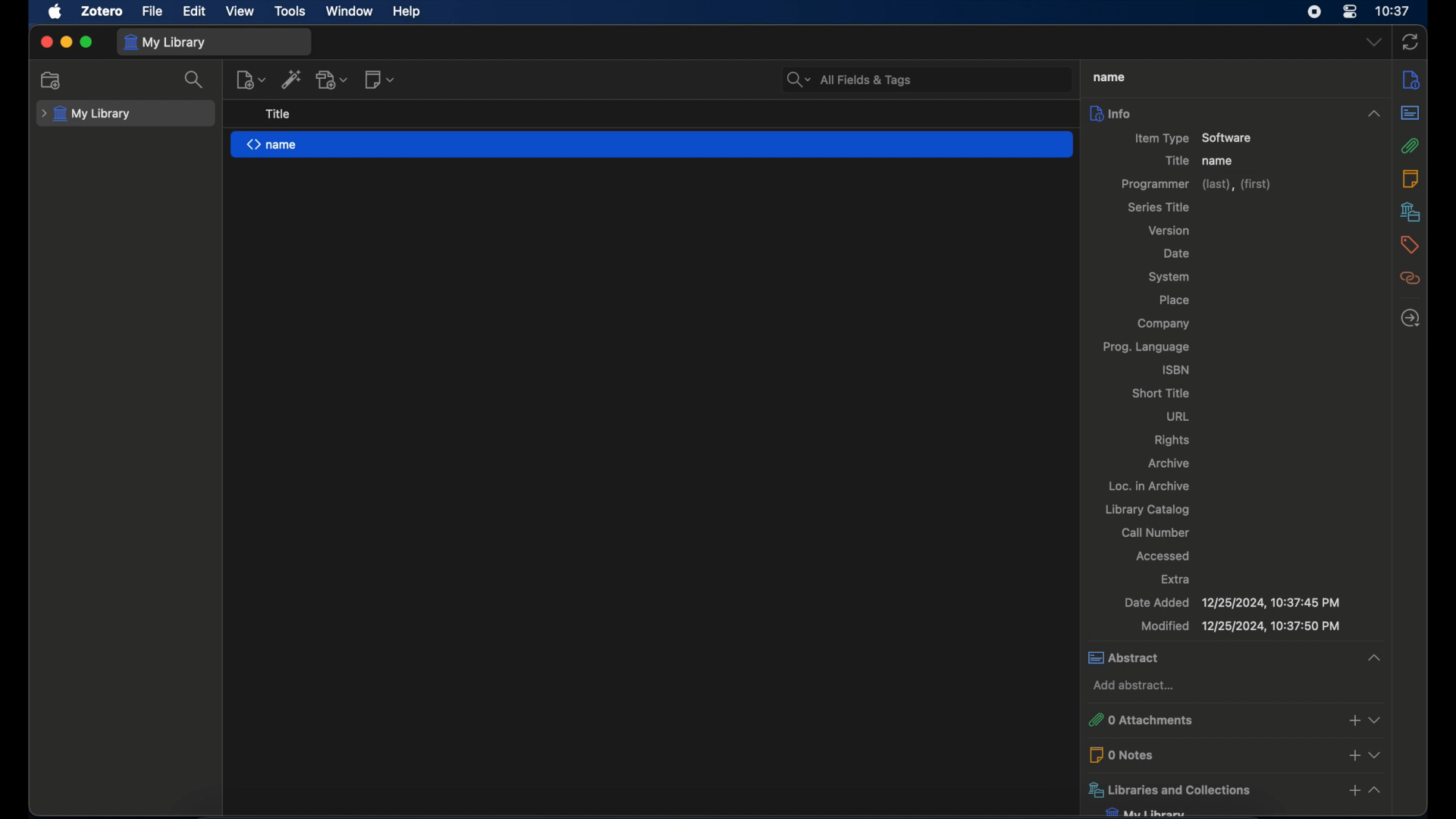 Image resolution: width=1456 pixels, height=819 pixels. What do you see at coordinates (1393, 12) in the screenshot?
I see `10.37` at bounding box center [1393, 12].